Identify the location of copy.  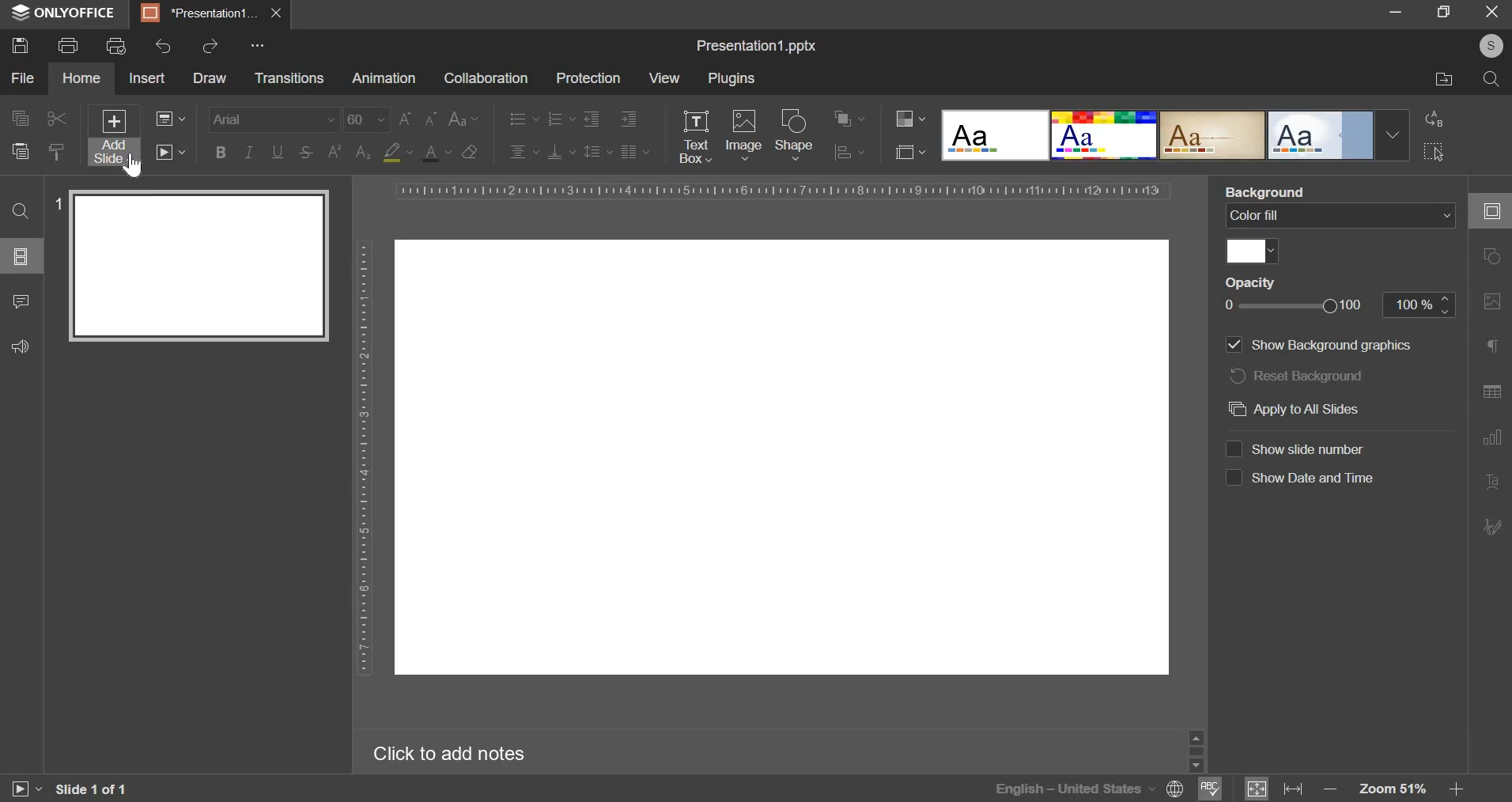
(20, 119).